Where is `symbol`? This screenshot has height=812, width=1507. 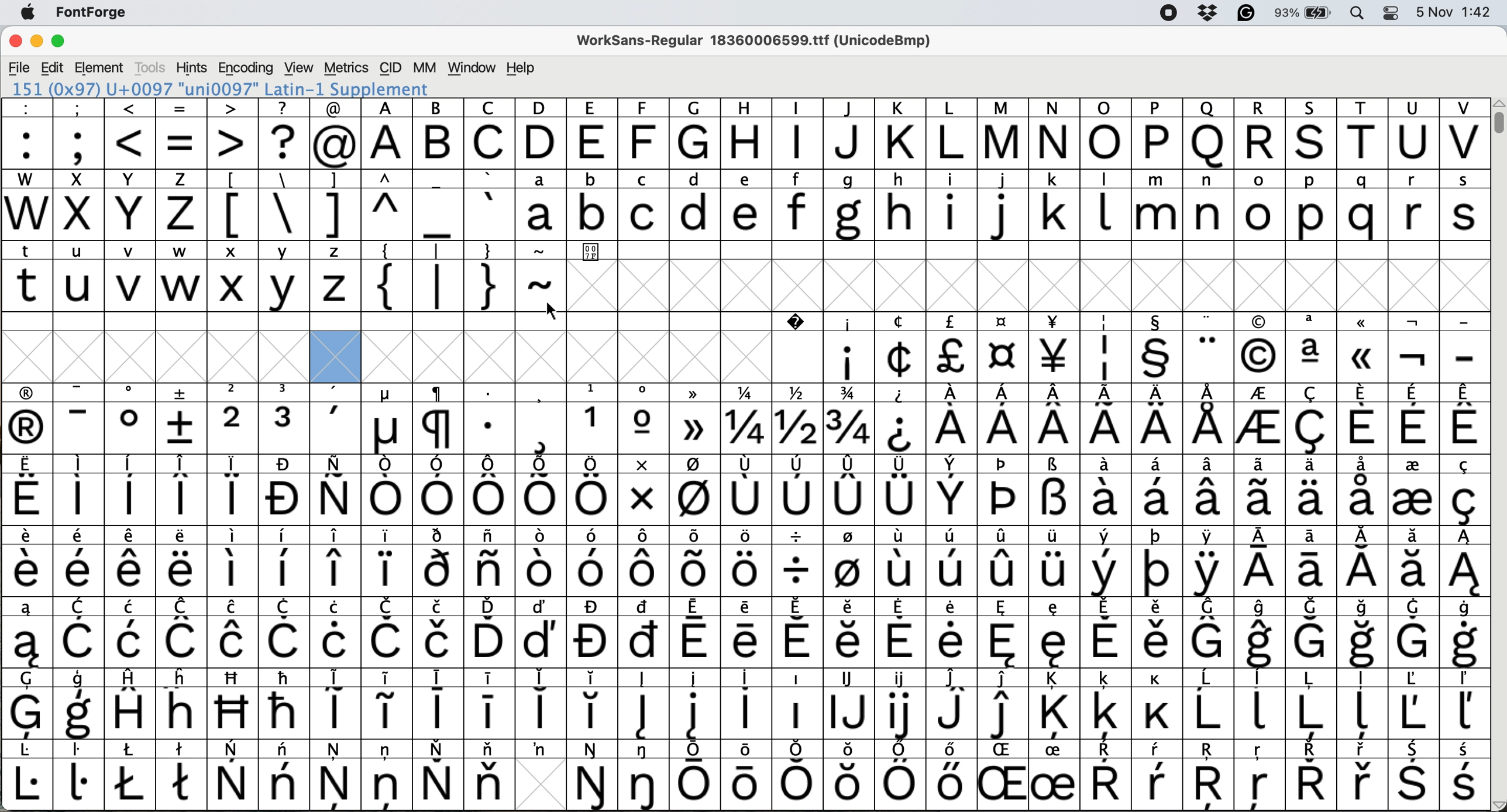
symbol is located at coordinates (1364, 562).